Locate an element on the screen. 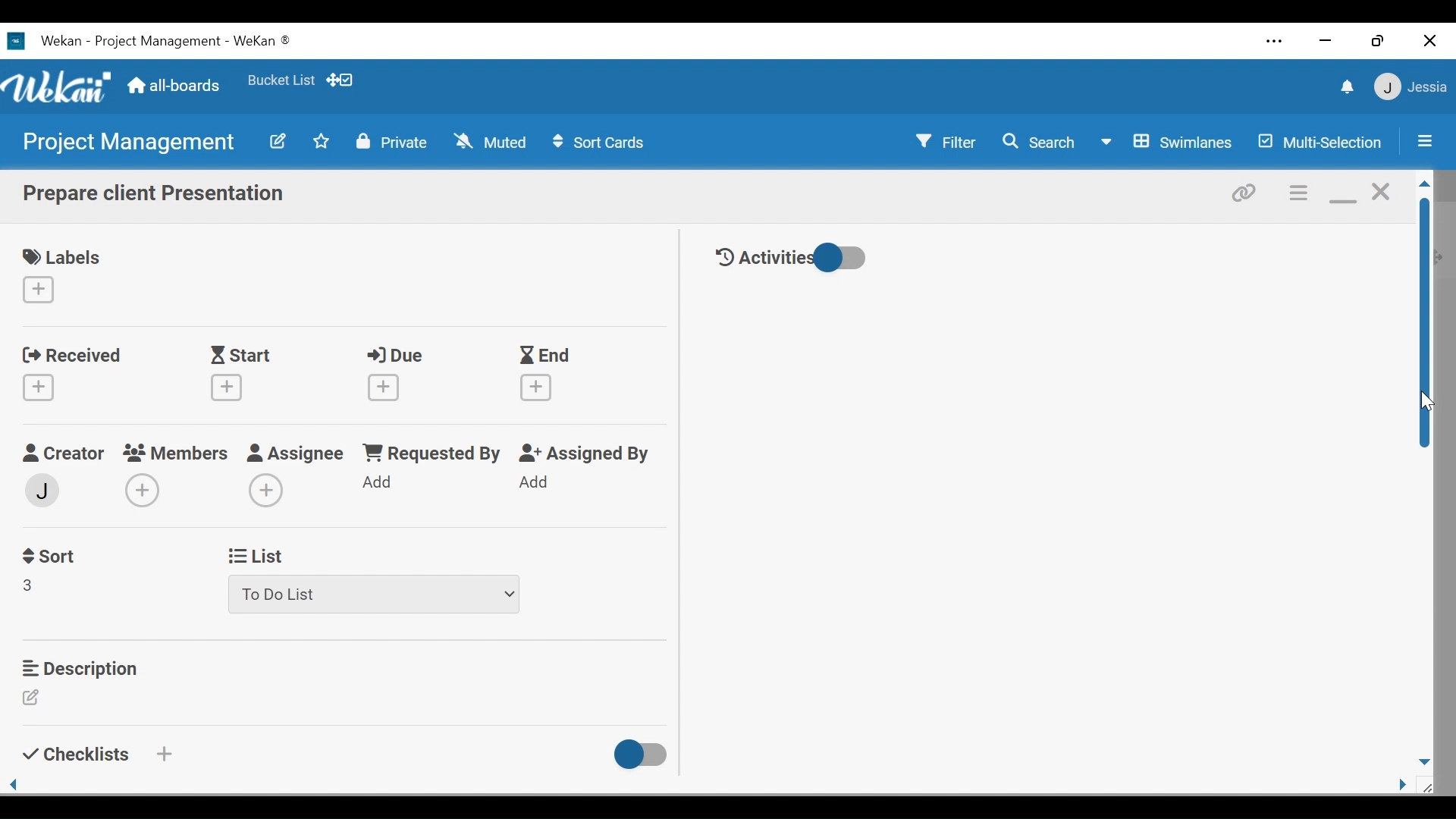 The width and height of the screenshot is (1456, 819). page side is located at coordinates (1395, 783).